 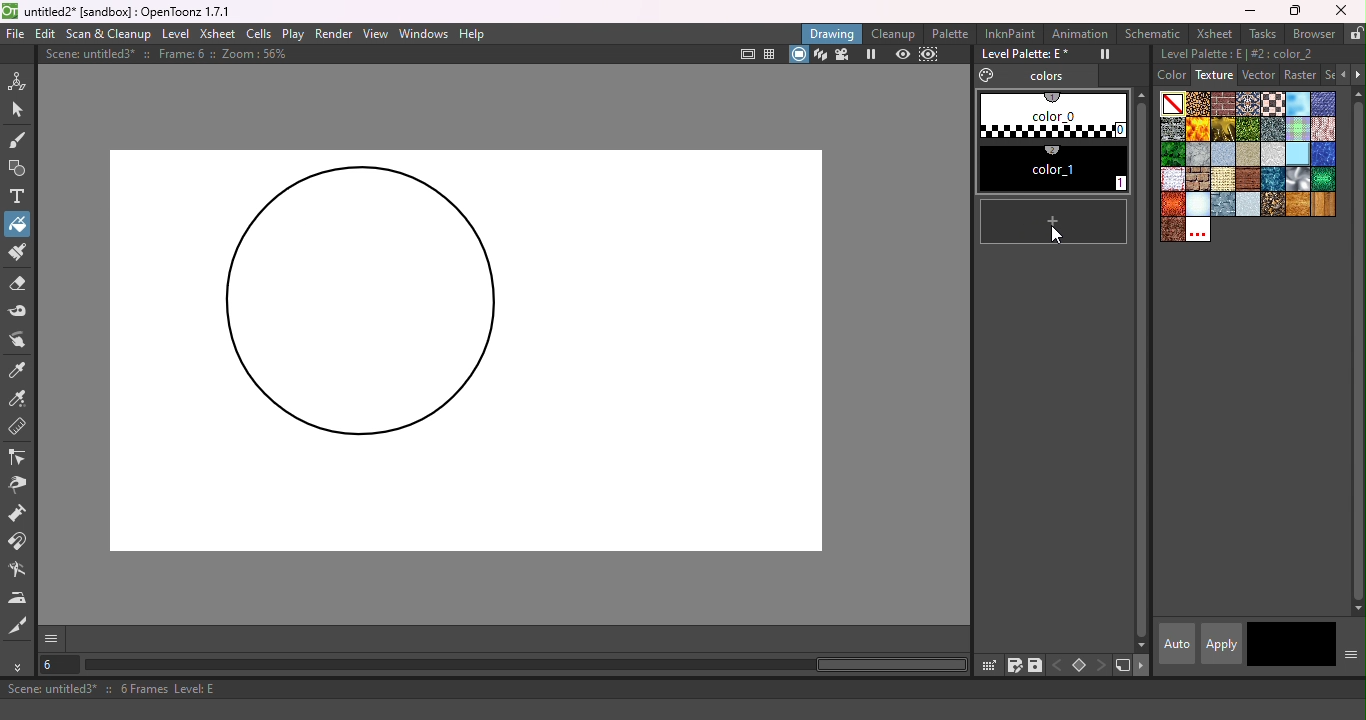 I want to click on Level Palette: E, so click(x=1021, y=55).